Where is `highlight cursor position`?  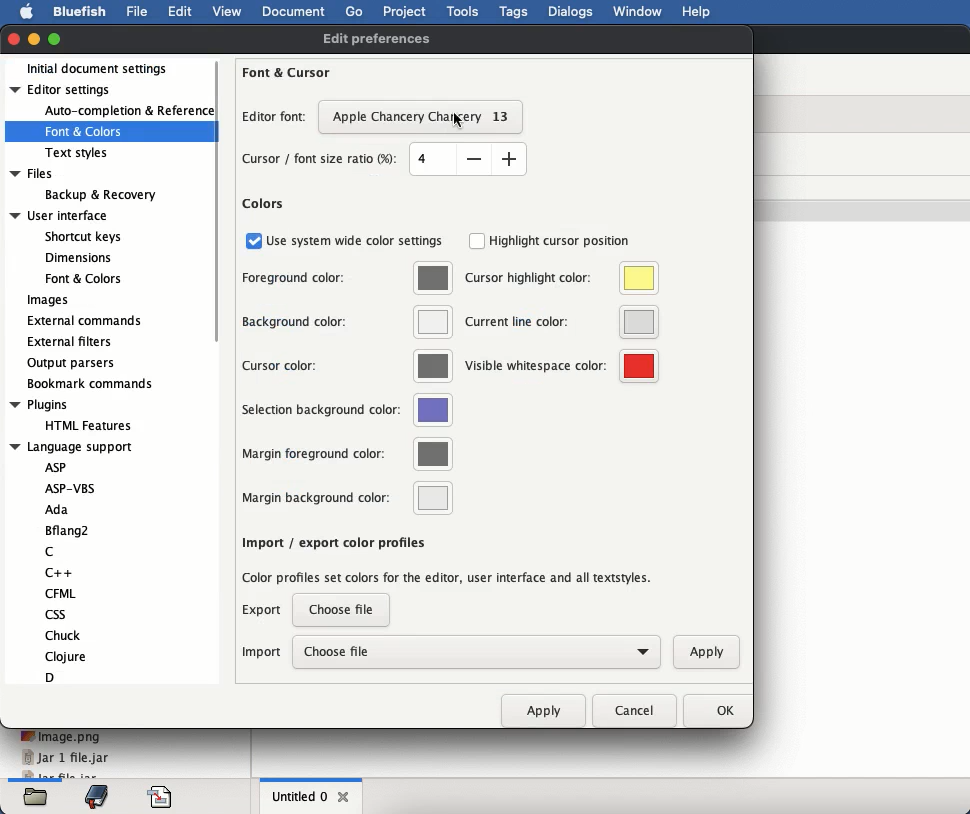 highlight cursor position is located at coordinates (550, 241).